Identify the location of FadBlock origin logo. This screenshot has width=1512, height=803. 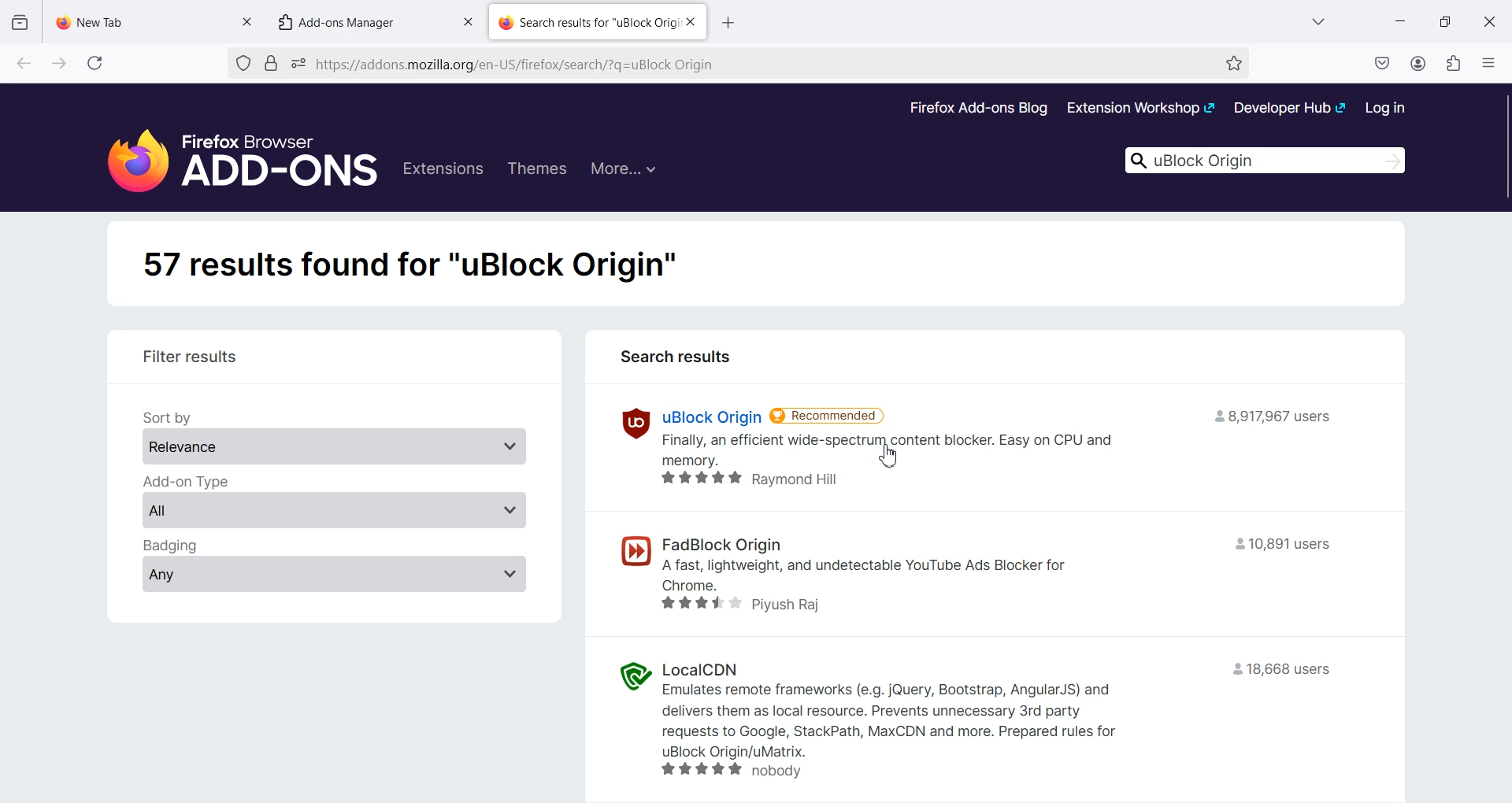
(632, 551).